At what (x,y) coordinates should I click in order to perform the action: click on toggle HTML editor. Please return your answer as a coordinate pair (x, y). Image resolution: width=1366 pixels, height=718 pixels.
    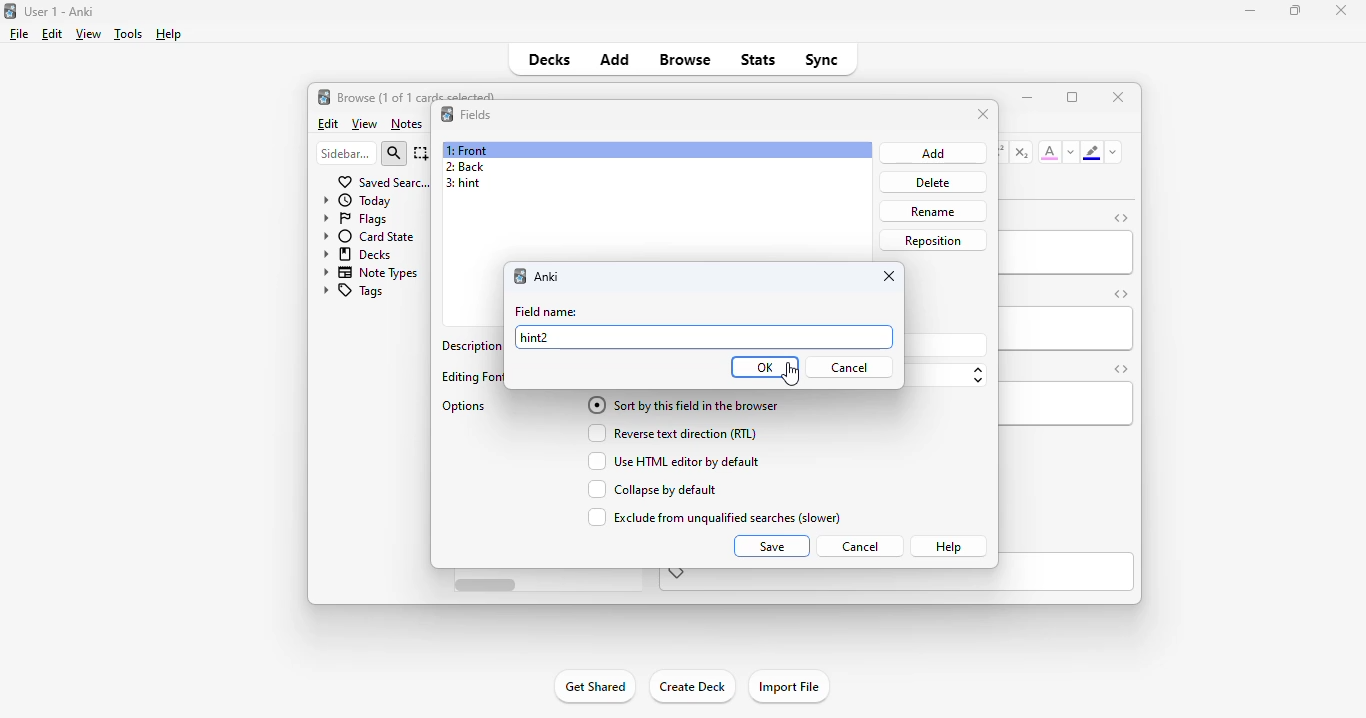
    Looking at the image, I should click on (1121, 293).